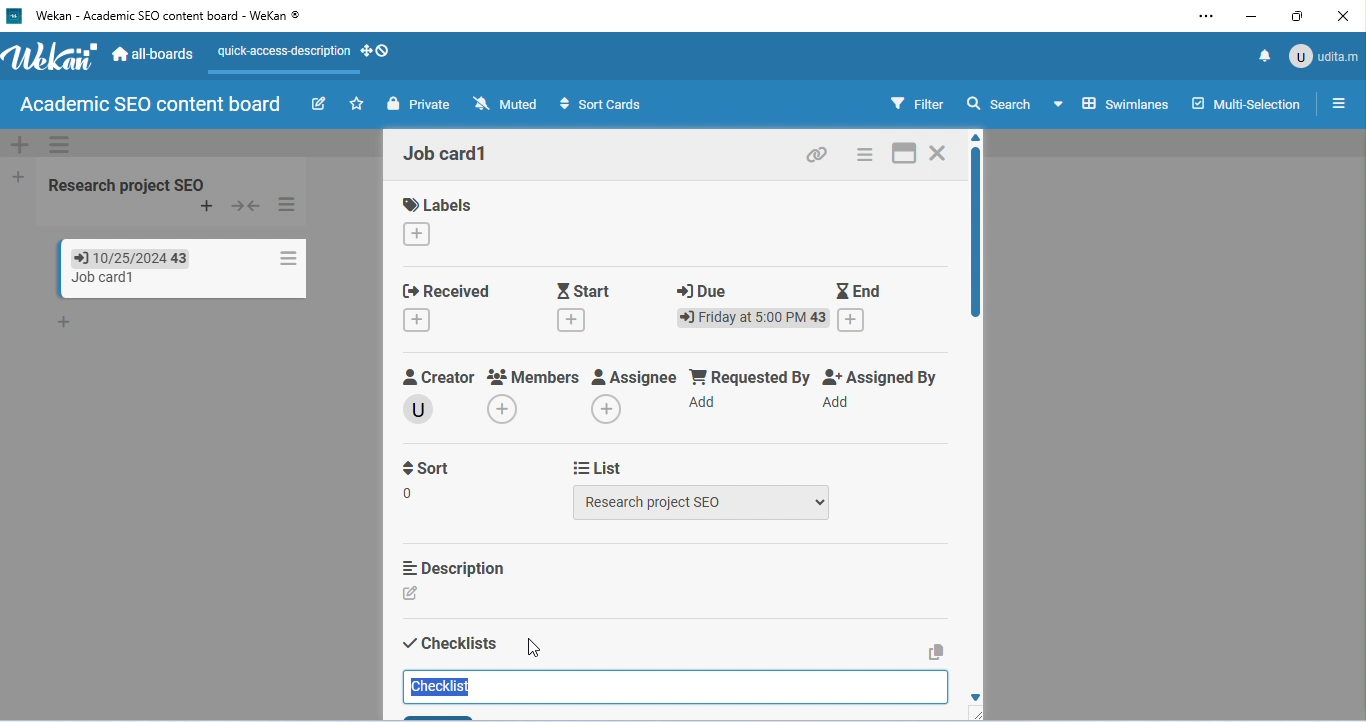  What do you see at coordinates (866, 154) in the screenshot?
I see `card actions` at bounding box center [866, 154].